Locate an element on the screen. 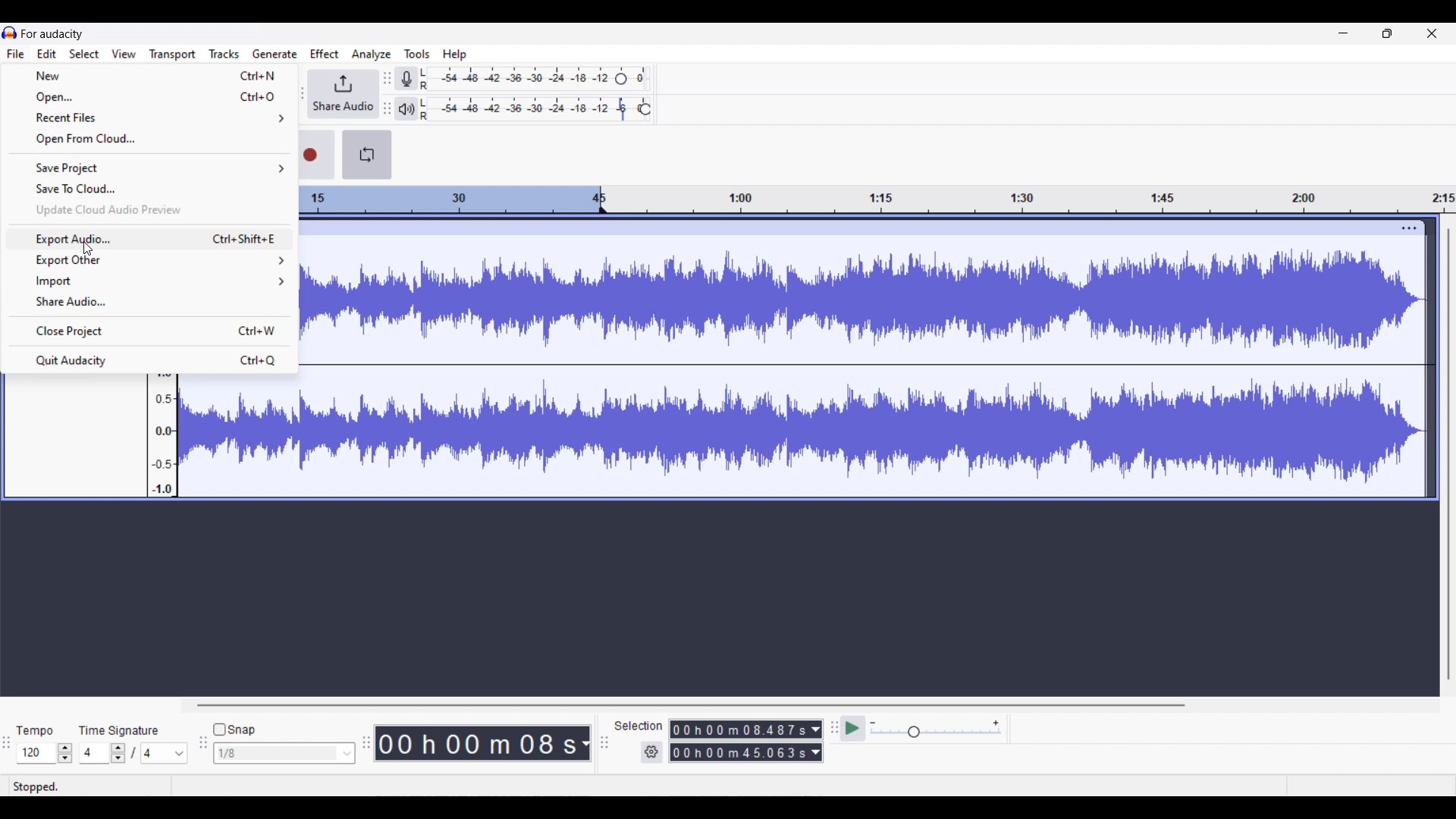 Image resolution: width=1456 pixels, height=819 pixels. Close project is located at coordinates (150, 331).